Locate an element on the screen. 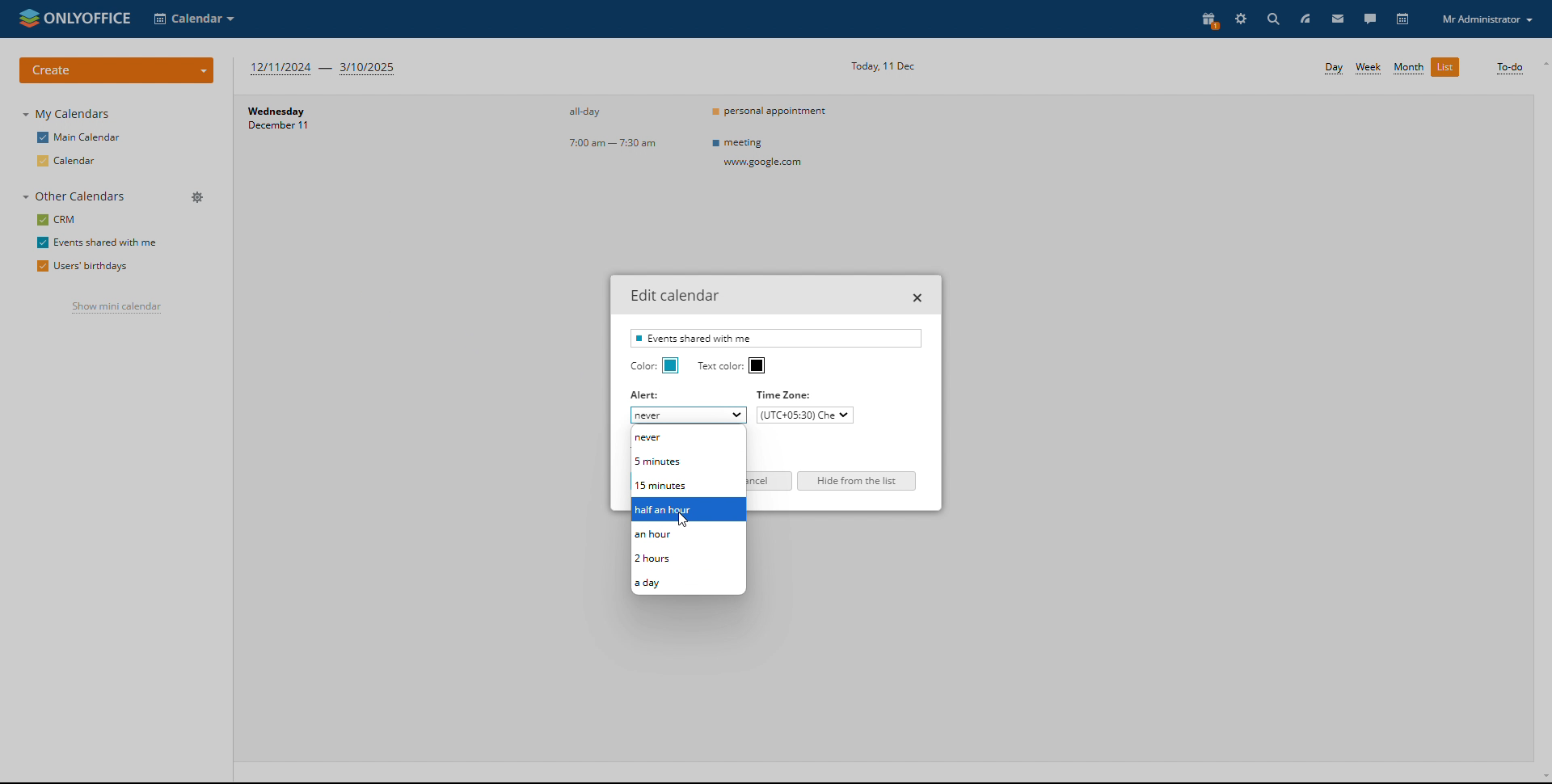 Image resolution: width=1552 pixels, height=784 pixels. settings is located at coordinates (1241, 18).